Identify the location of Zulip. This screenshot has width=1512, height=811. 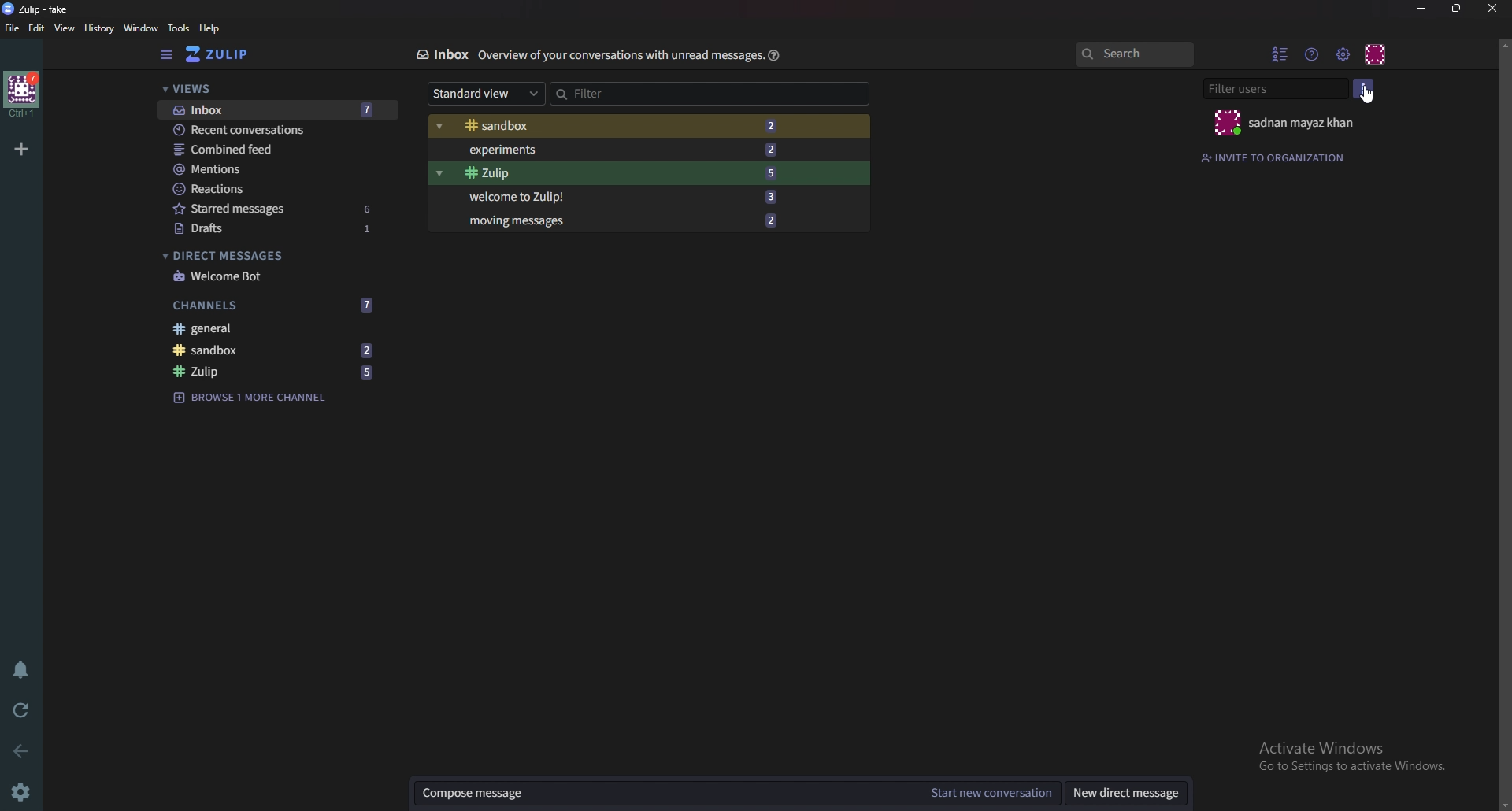
(232, 54).